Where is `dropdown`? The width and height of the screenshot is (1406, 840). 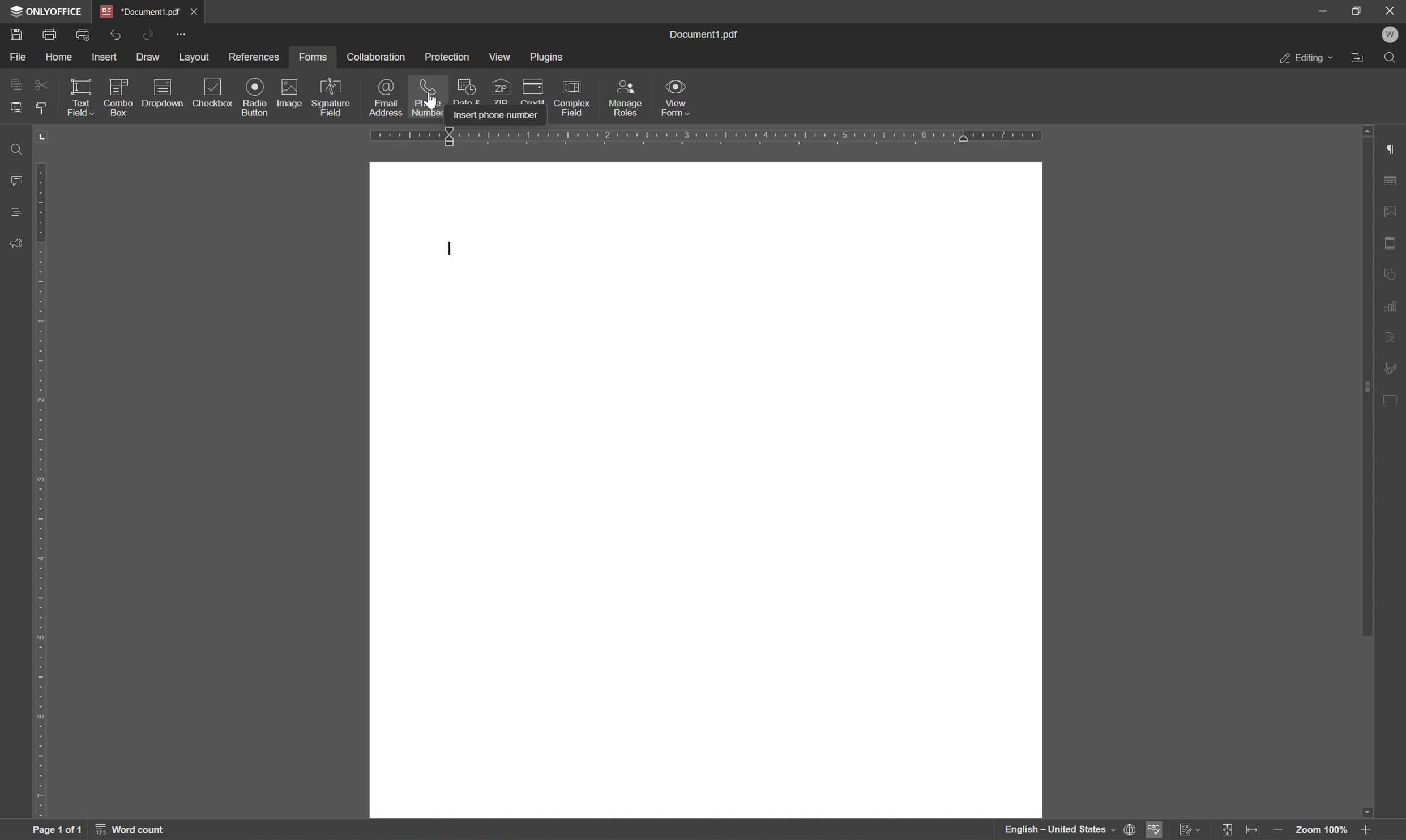
dropdown is located at coordinates (165, 88).